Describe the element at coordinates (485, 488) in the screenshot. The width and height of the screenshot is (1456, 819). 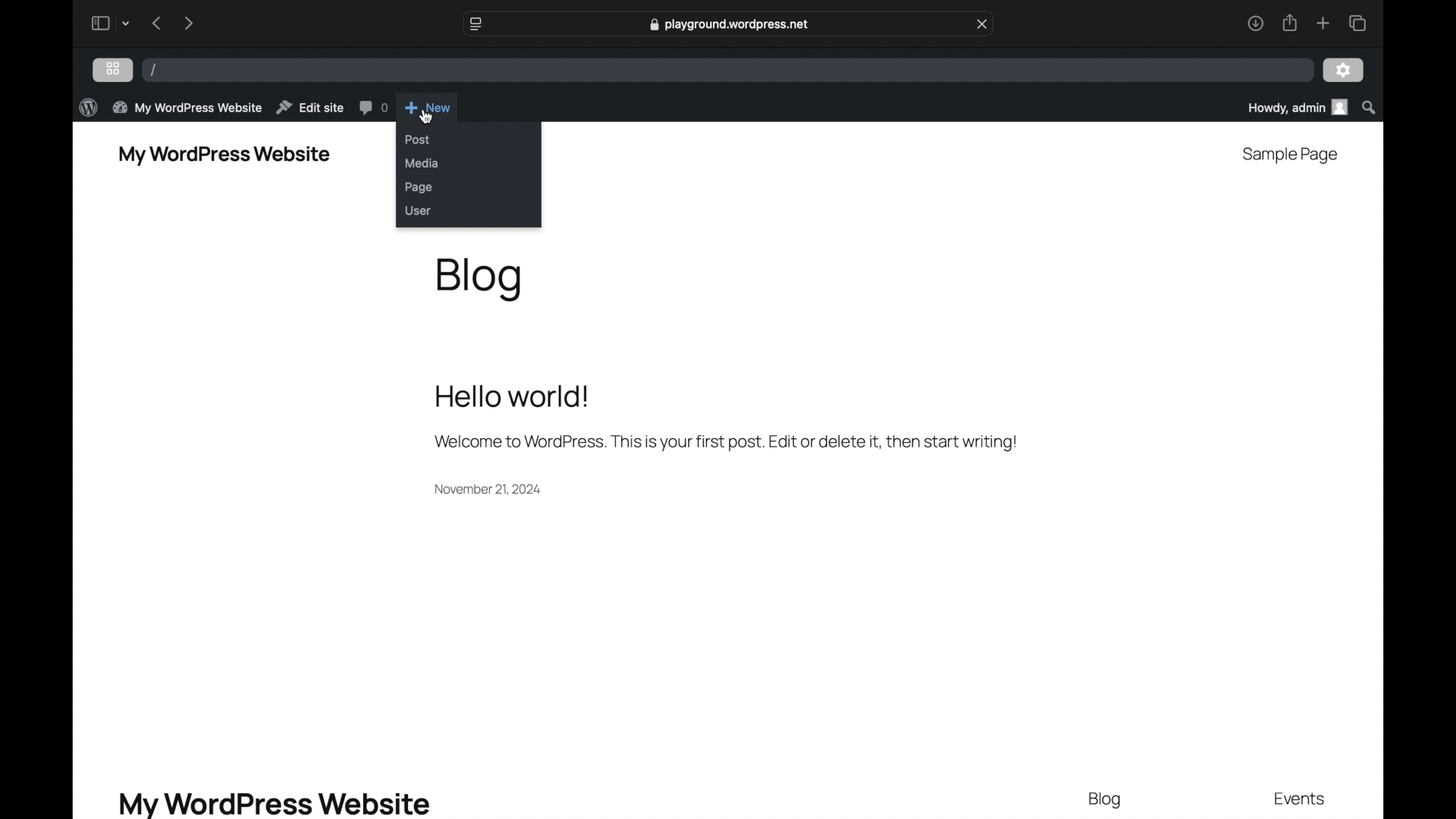
I see `November 21, 2024` at that location.